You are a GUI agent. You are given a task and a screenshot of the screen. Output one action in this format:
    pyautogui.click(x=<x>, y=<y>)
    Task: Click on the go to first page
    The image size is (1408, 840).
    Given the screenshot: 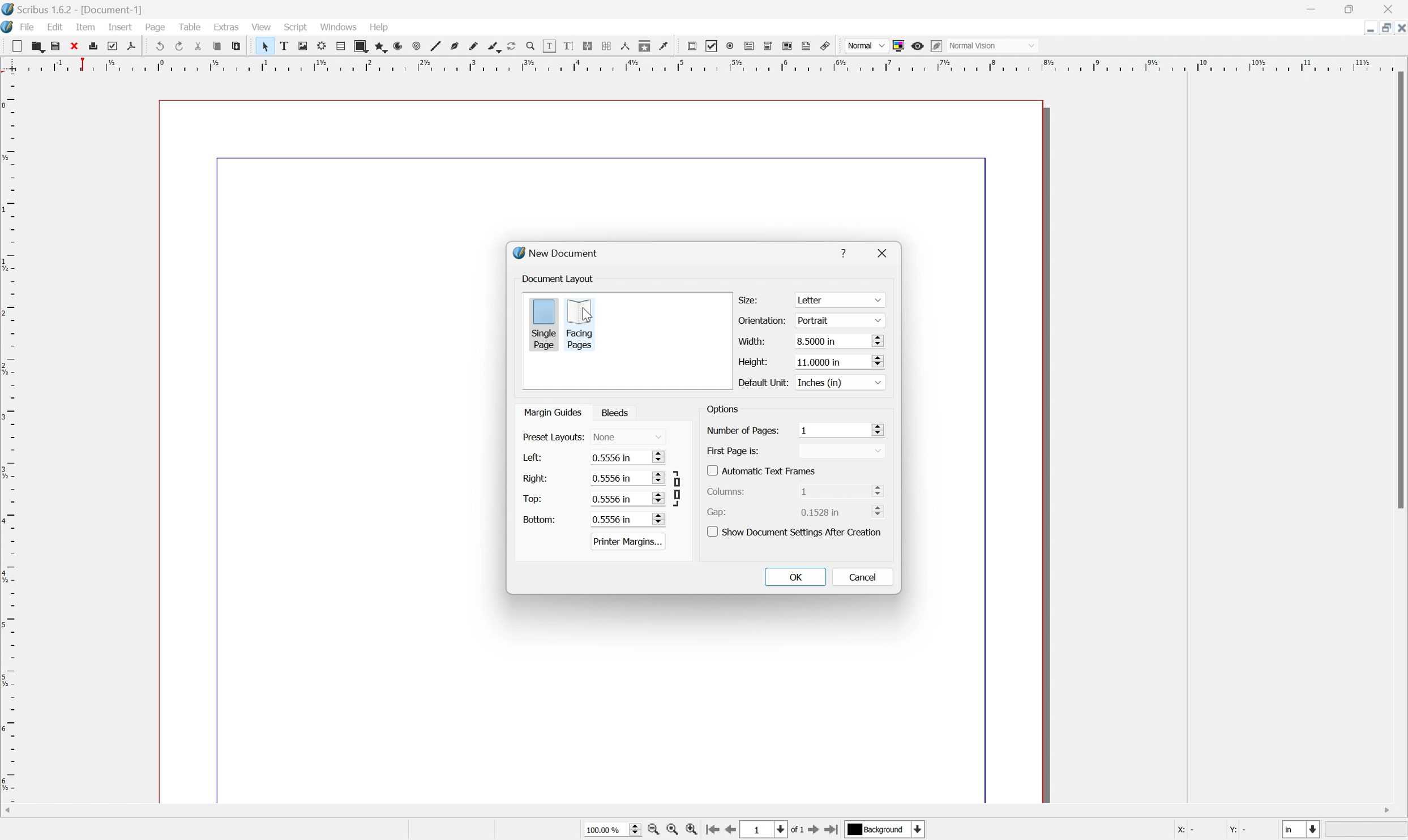 What is the action you would take?
    pyautogui.click(x=714, y=831)
    